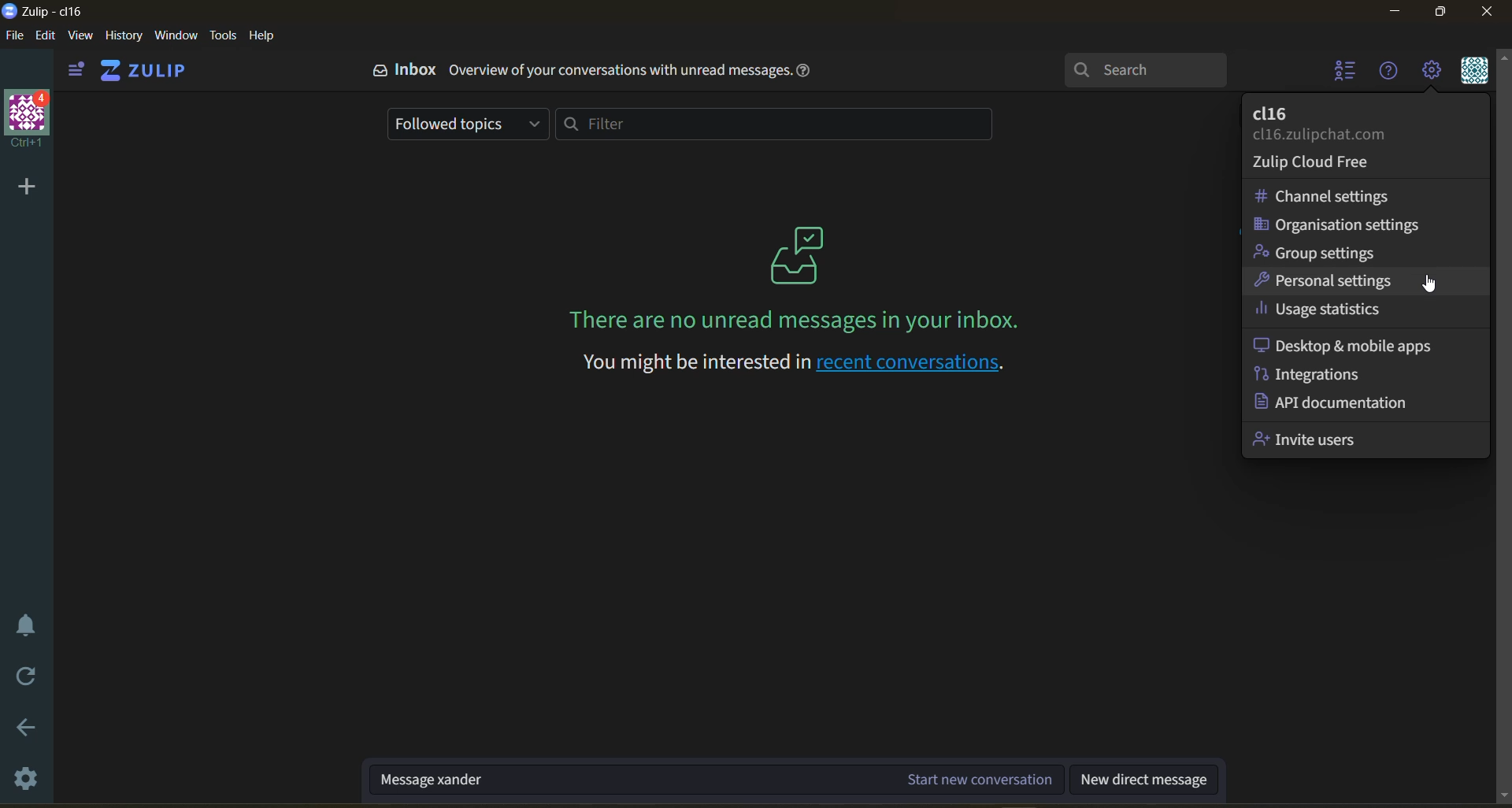 This screenshot has height=808, width=1512. What do you see at coordinates (27, 726) in the screenshot?
I see `go back` at bounding box center [27, 726].